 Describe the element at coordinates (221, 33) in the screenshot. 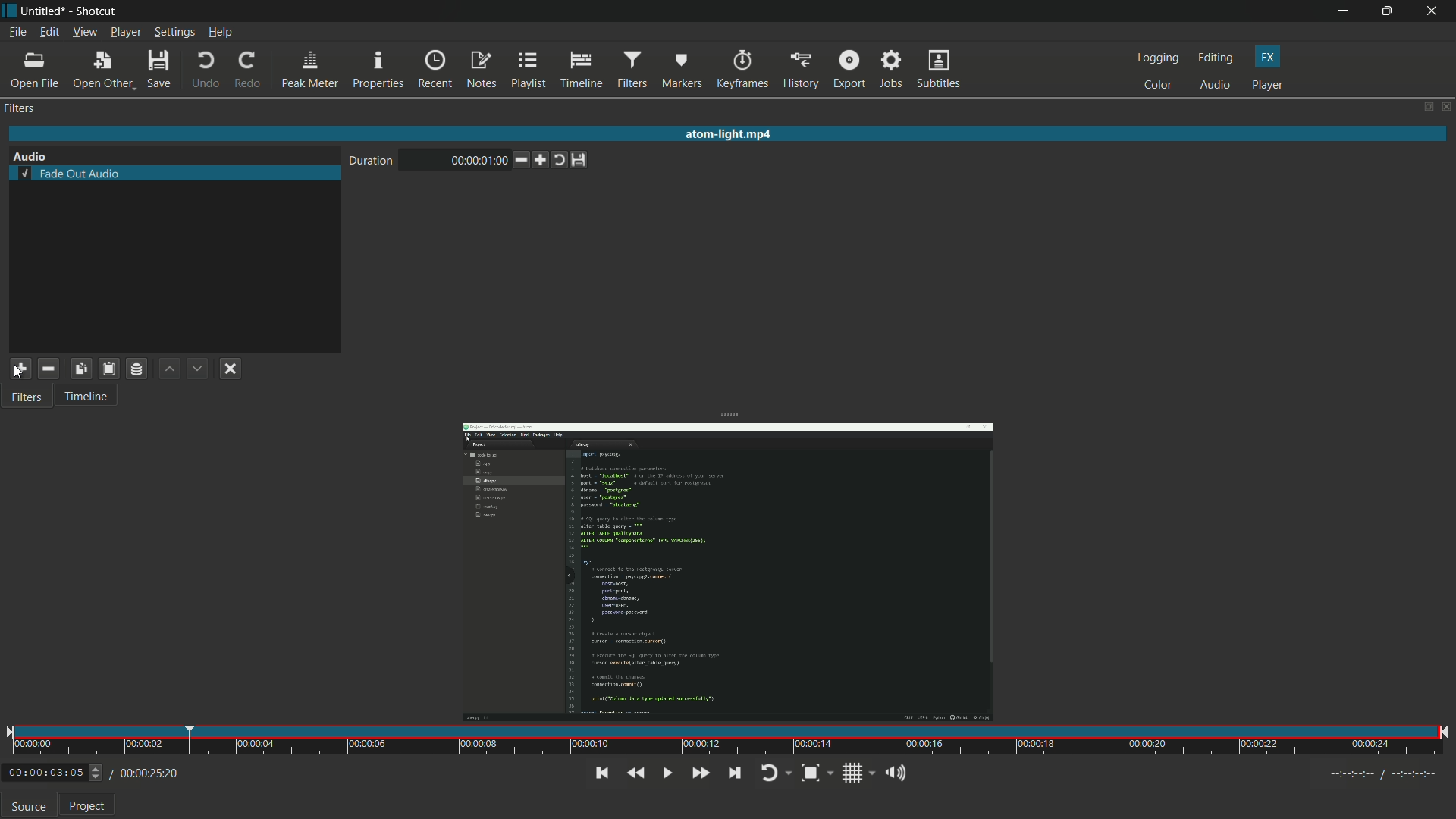

I see `help menu` at that location.